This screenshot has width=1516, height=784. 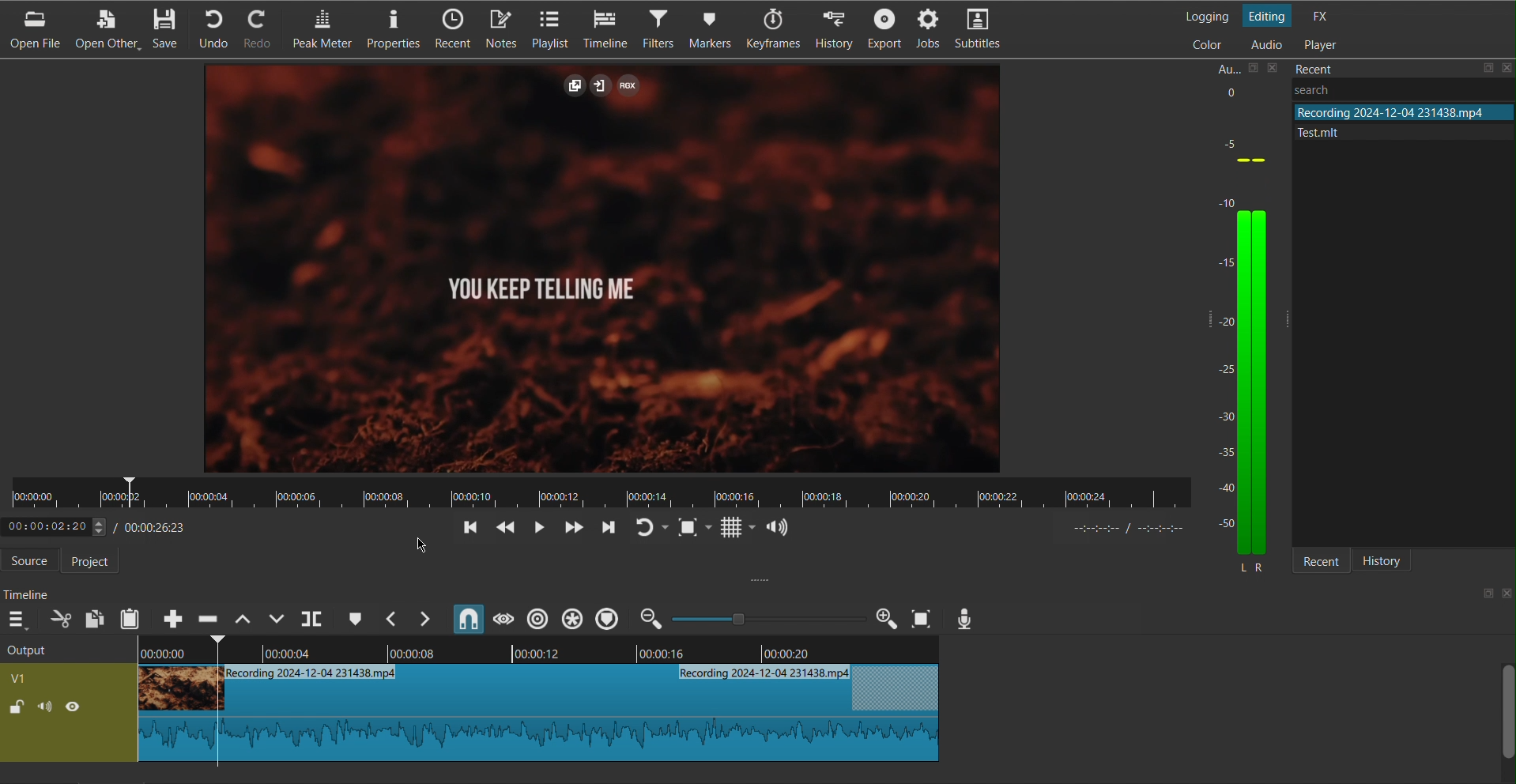 What do you see at coordinates (15, 707) in the screenshot?
I see `(un)lock` at bounding box center [15, 707].